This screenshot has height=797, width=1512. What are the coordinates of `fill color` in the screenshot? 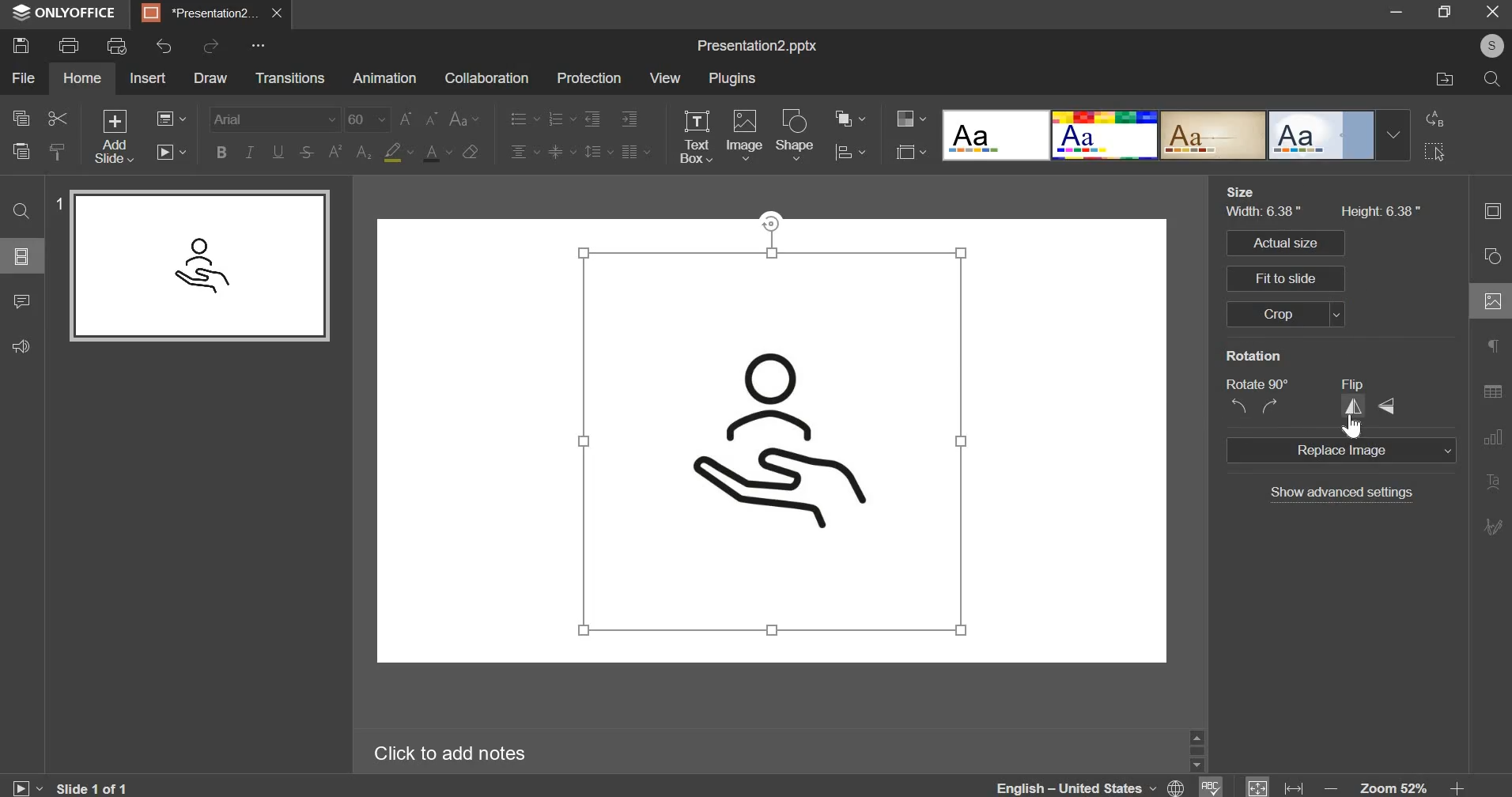 It's located at (397, 153).